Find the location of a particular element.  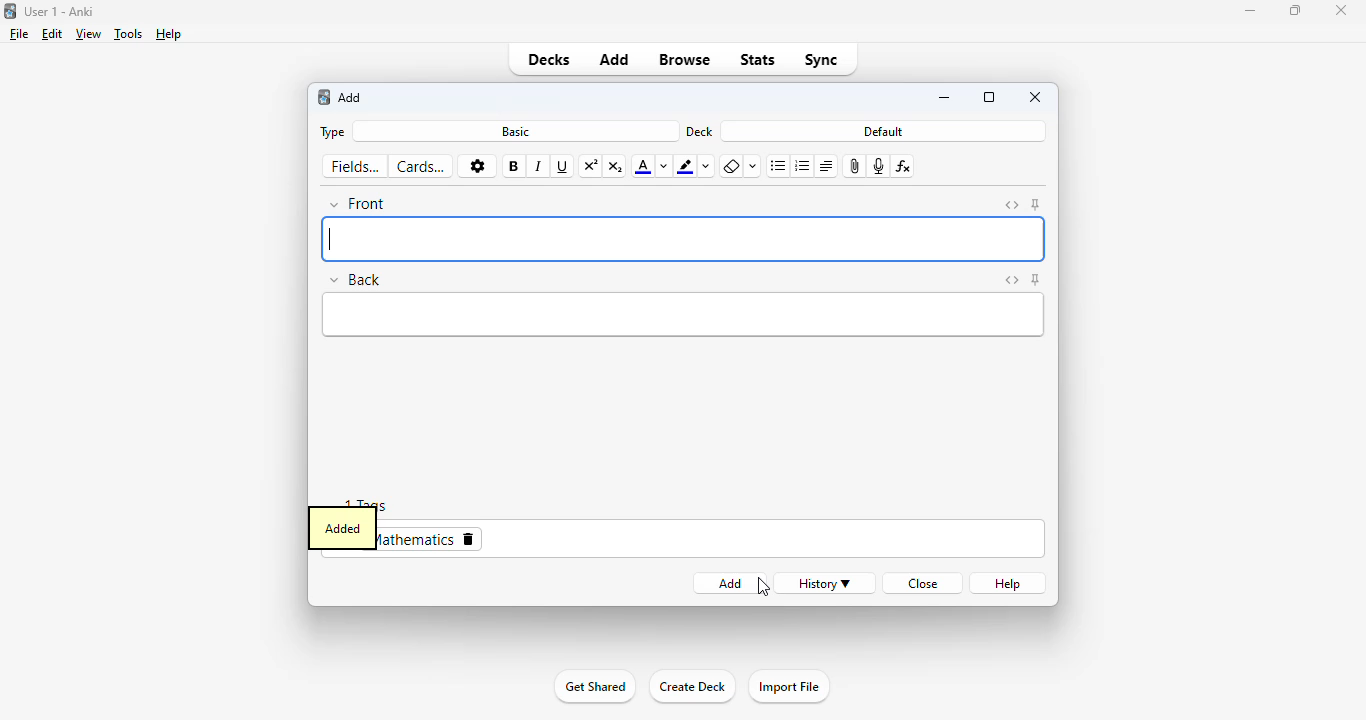

maximize is located at coordinates (1296, 10).